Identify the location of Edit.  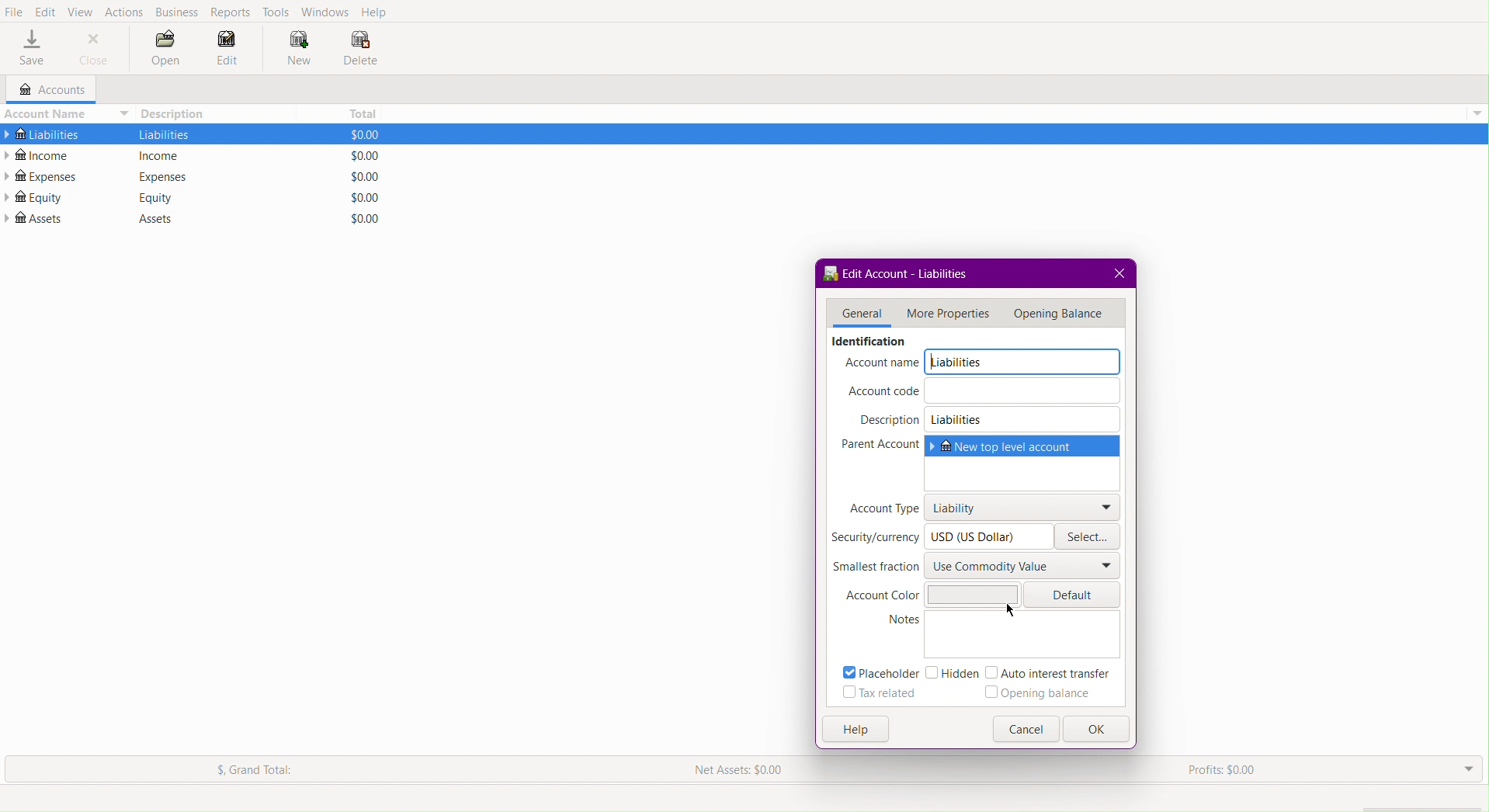
(227, 52).